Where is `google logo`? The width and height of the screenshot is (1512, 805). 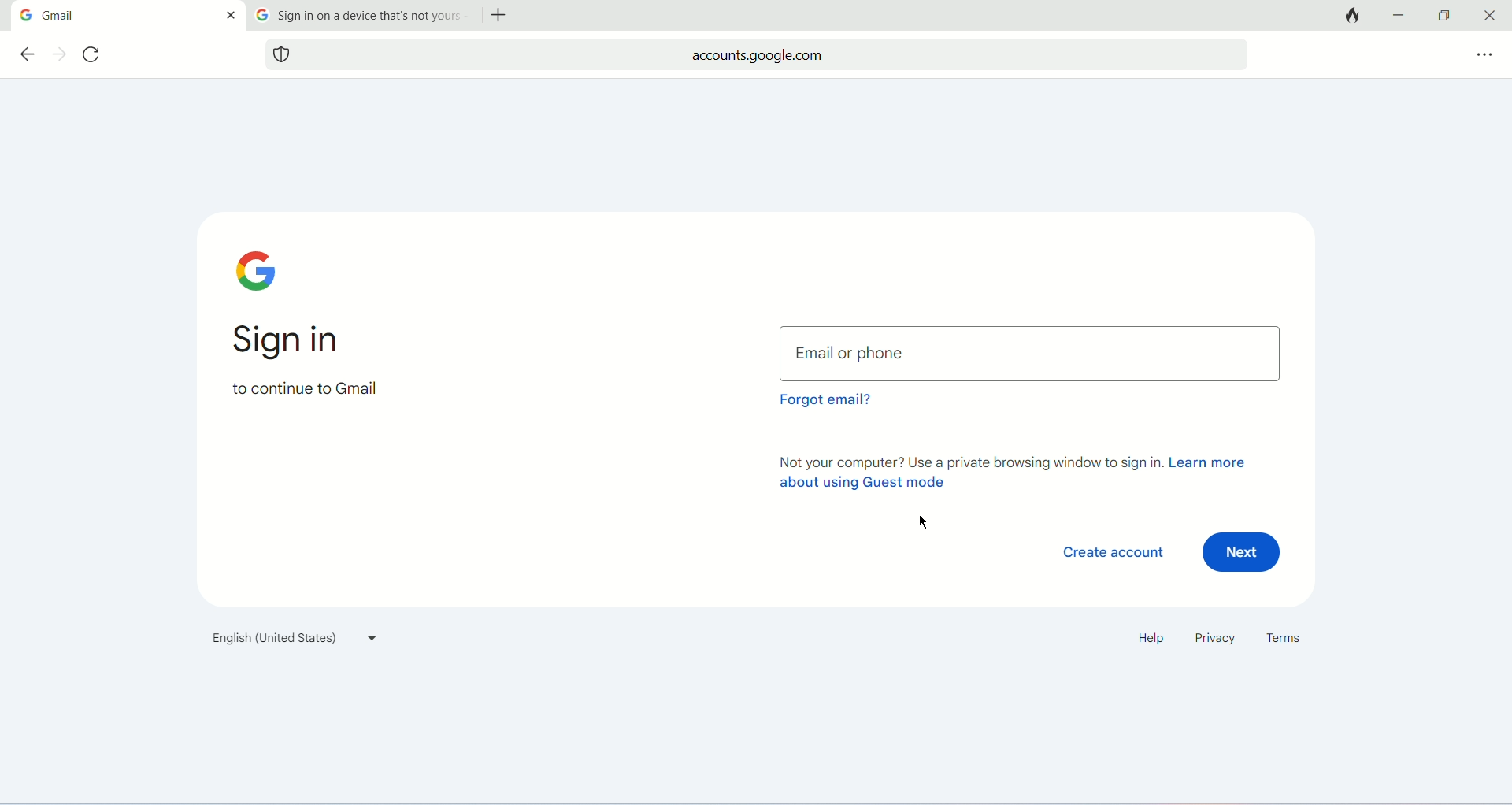 google logo is located at coordinates (262, 271).